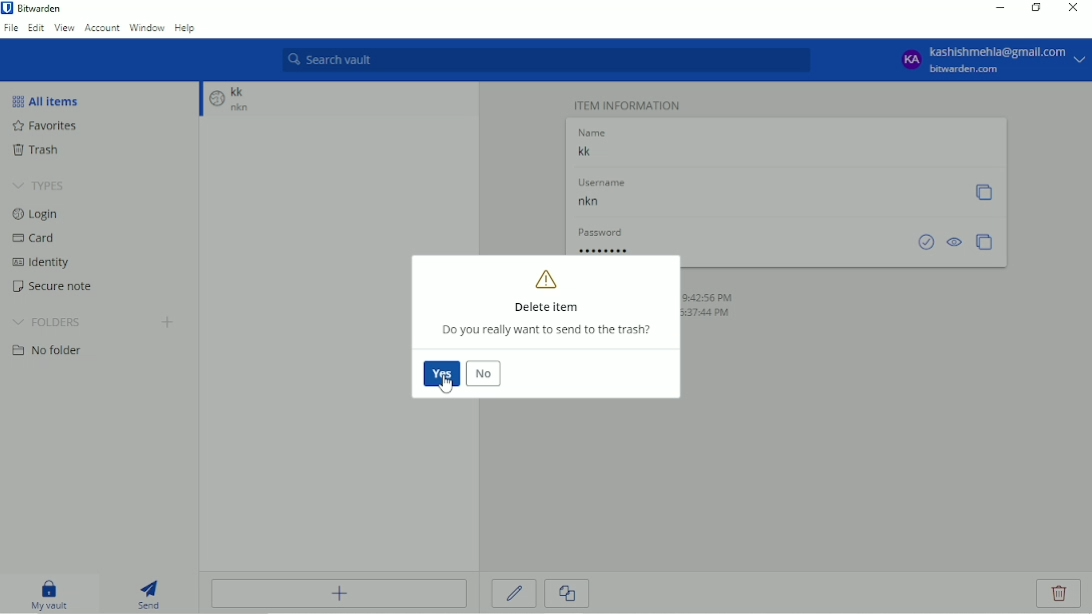 Image resolution: width=1092 pixels, height=614 pixels. What do you see at coordinates (147, 28) in the screenshot?
I see `Window` at bounding box center [147, 28].